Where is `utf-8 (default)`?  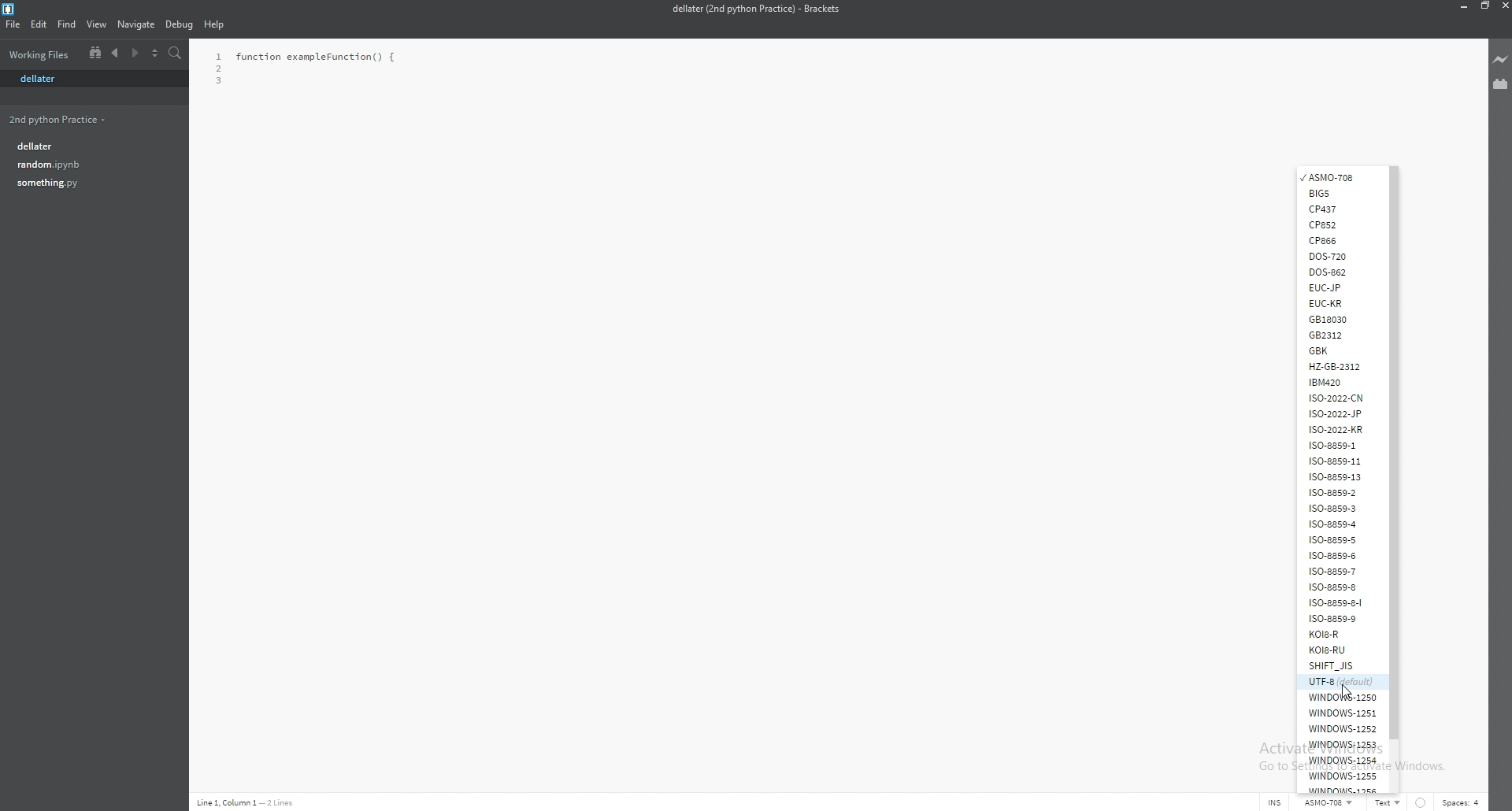
utf-8 (default) is located at coordinates (1340, 682).